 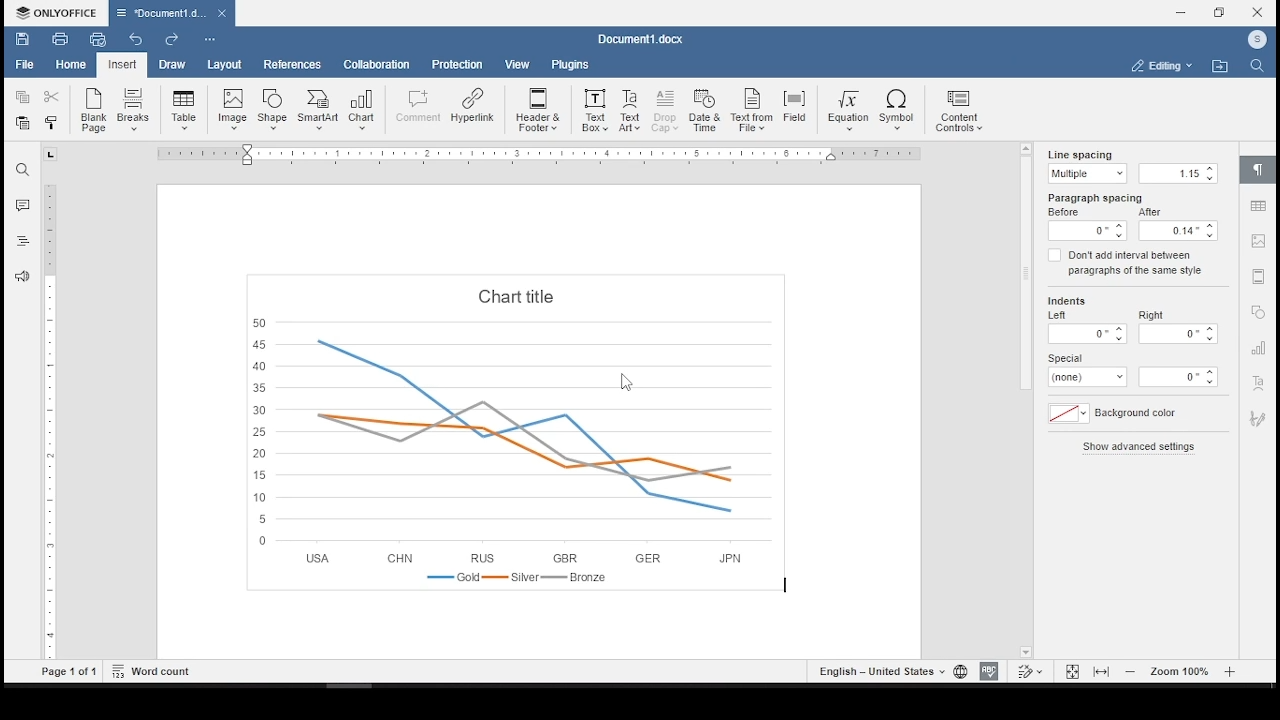 What do you see at coordinates (1257, 207) in the screenshot?
I see `table settings` at bounding box center [1257, 207].